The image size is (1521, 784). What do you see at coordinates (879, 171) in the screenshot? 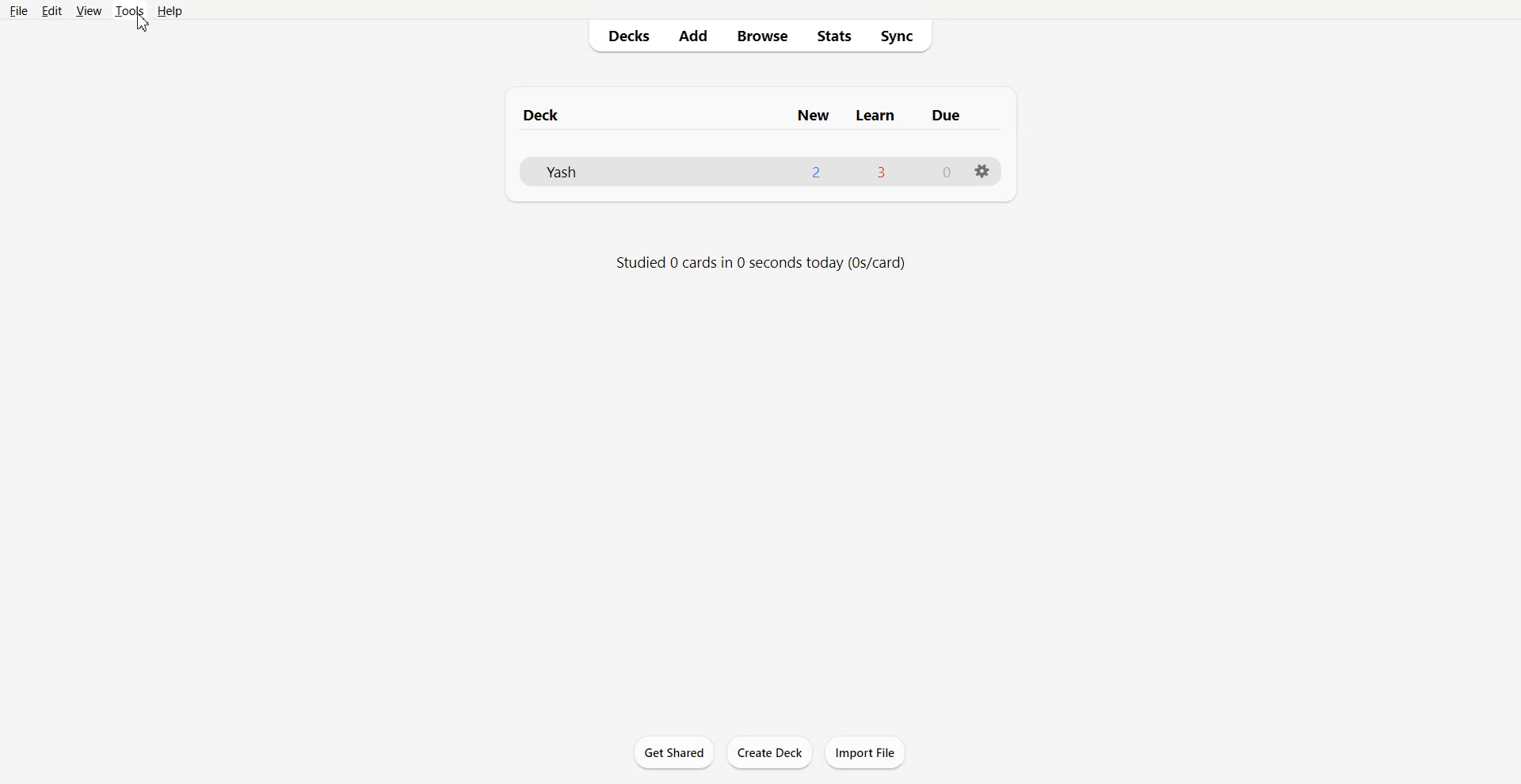
I see `3` at bounding box center [879, 171].